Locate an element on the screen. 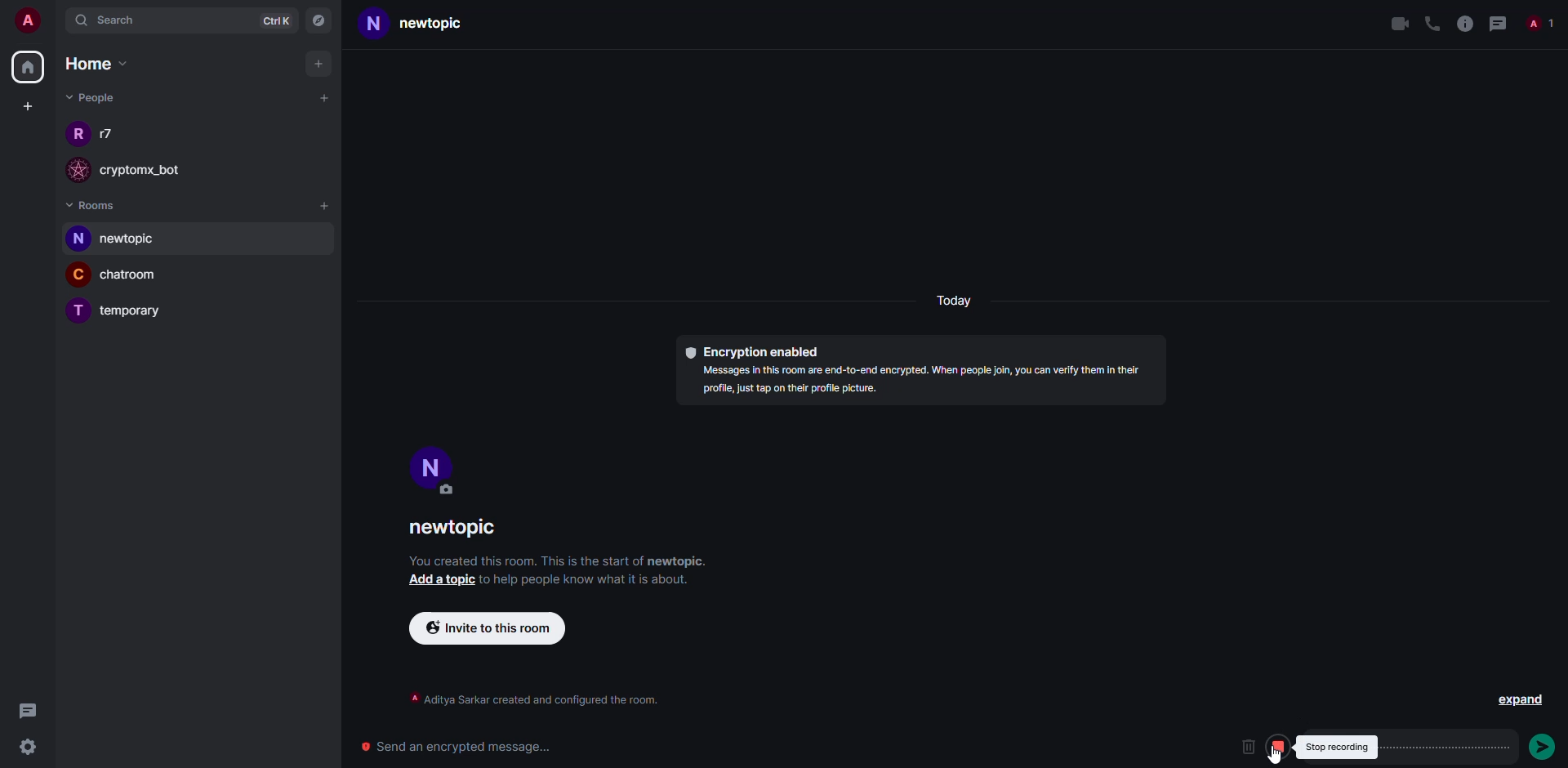 This screenshot has width=1568, height=768. threads is located at coordinates (1499, 24).